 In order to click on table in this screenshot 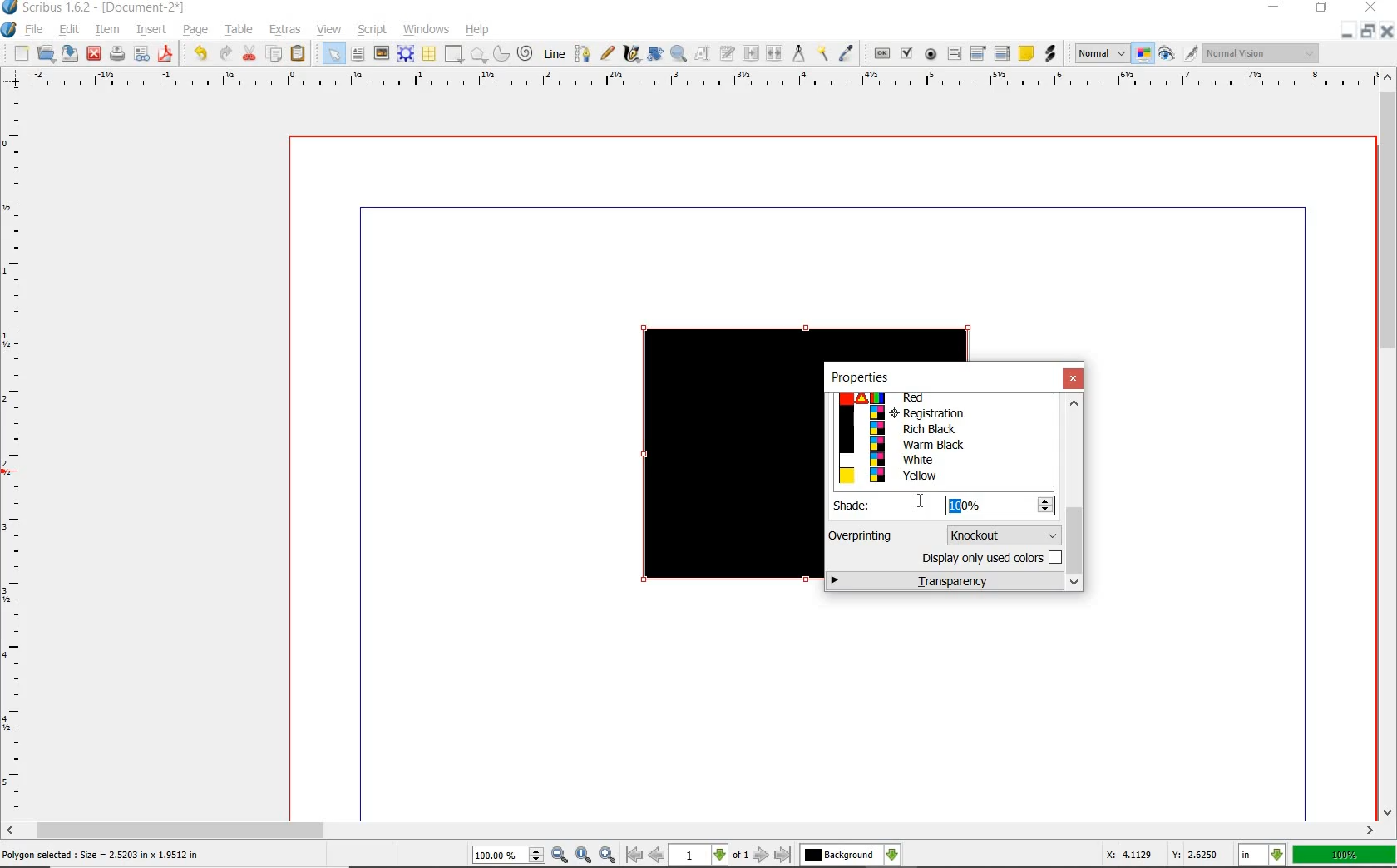, I will do `click(239, 31)`.